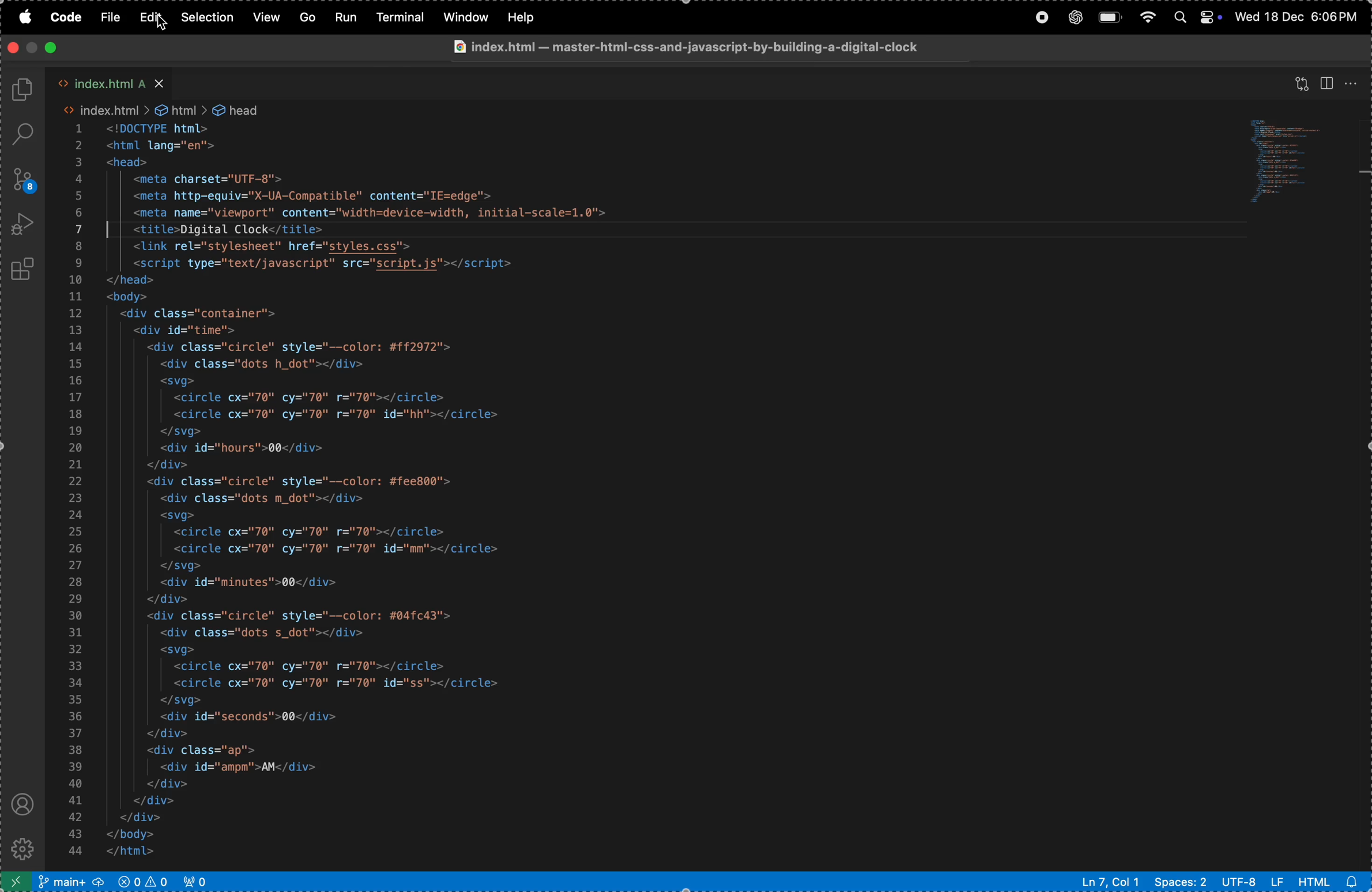 The height and width of the screenshot is (892, 1372). What do you see at coordinates (265, 18) in the screenshot?
I see `view` at bounding box center [265, 18].